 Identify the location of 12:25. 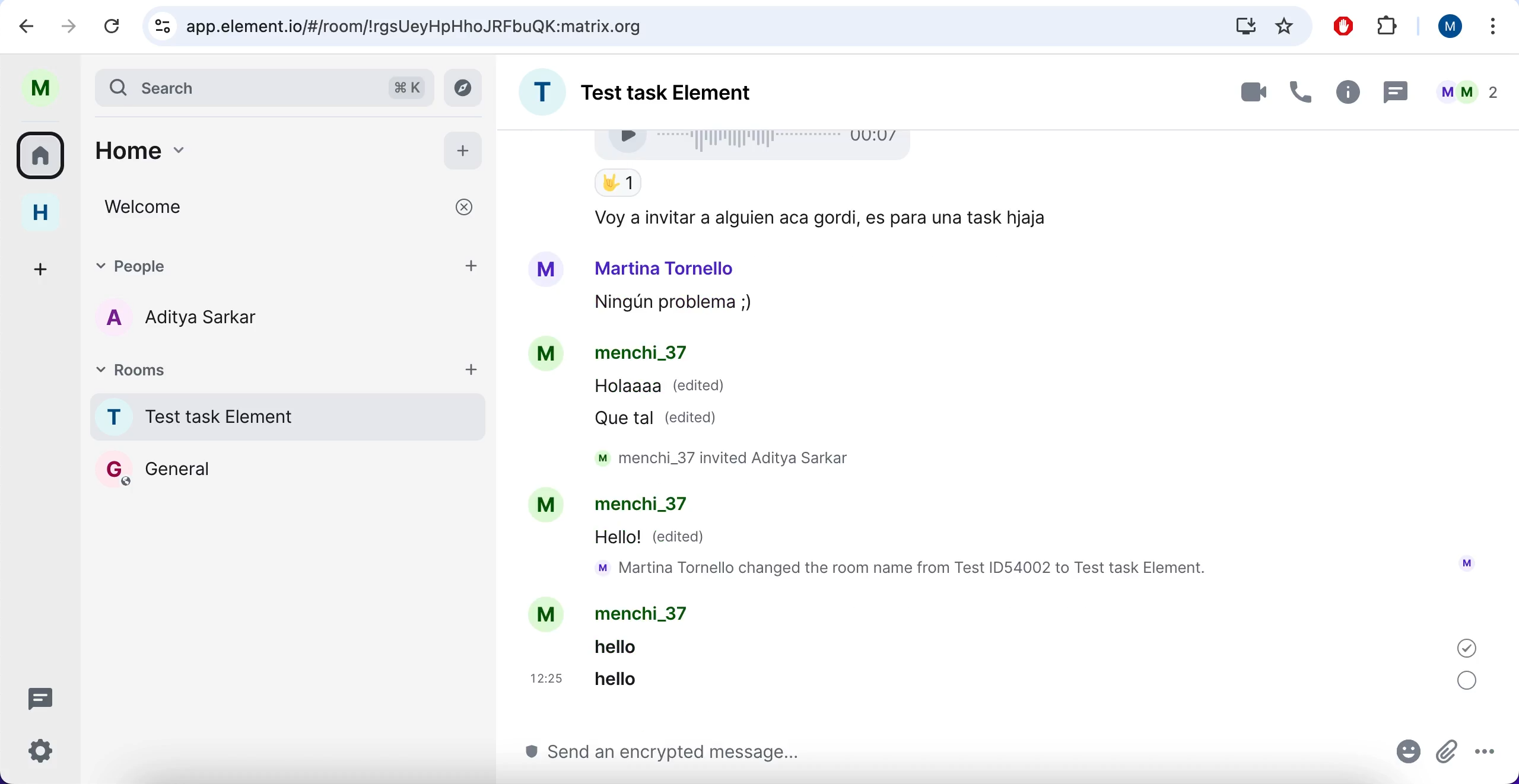
(549, 678).